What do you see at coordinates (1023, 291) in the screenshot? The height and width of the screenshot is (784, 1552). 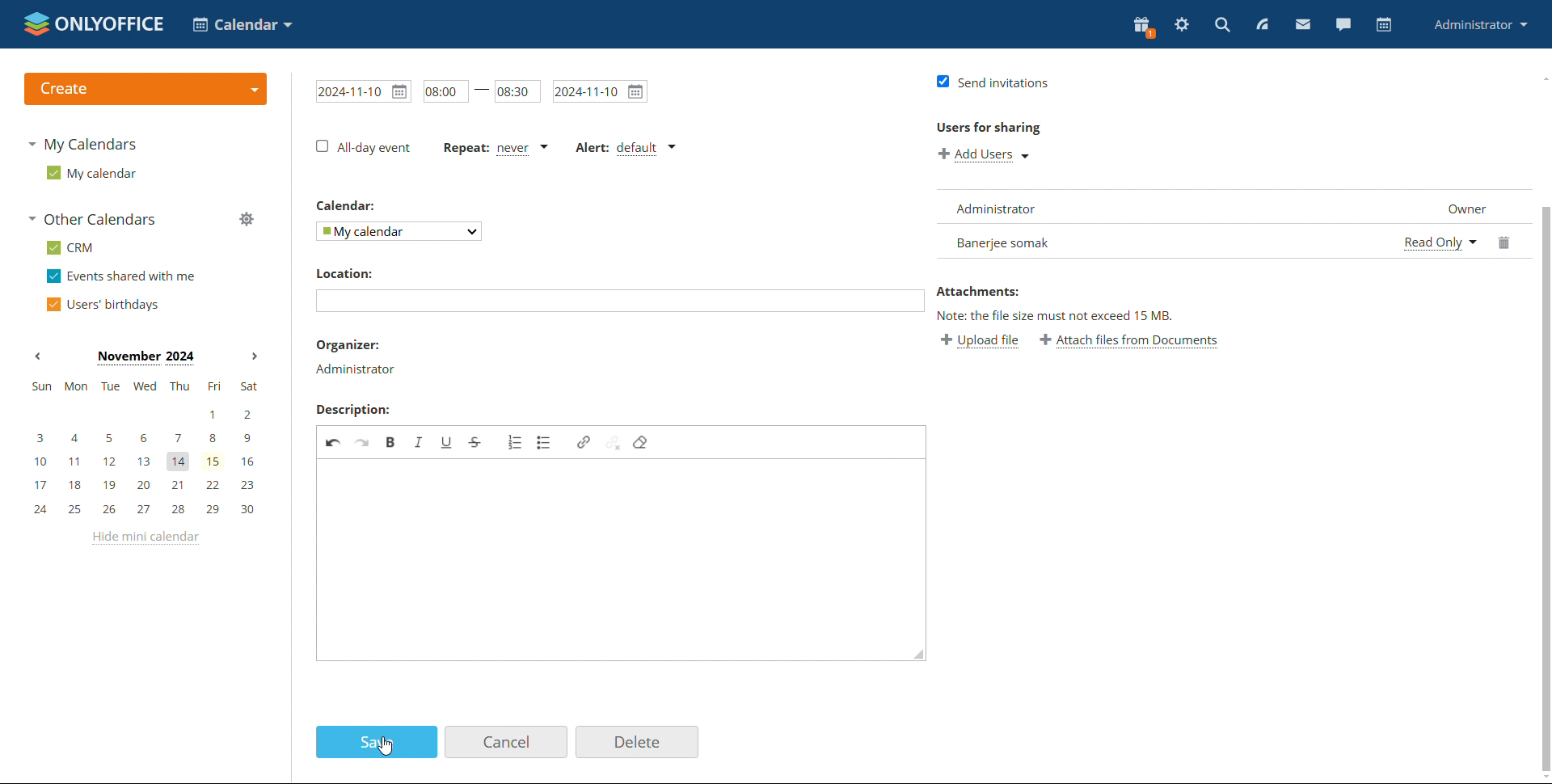 I see `attachment` at bounding box center [1023, 291].